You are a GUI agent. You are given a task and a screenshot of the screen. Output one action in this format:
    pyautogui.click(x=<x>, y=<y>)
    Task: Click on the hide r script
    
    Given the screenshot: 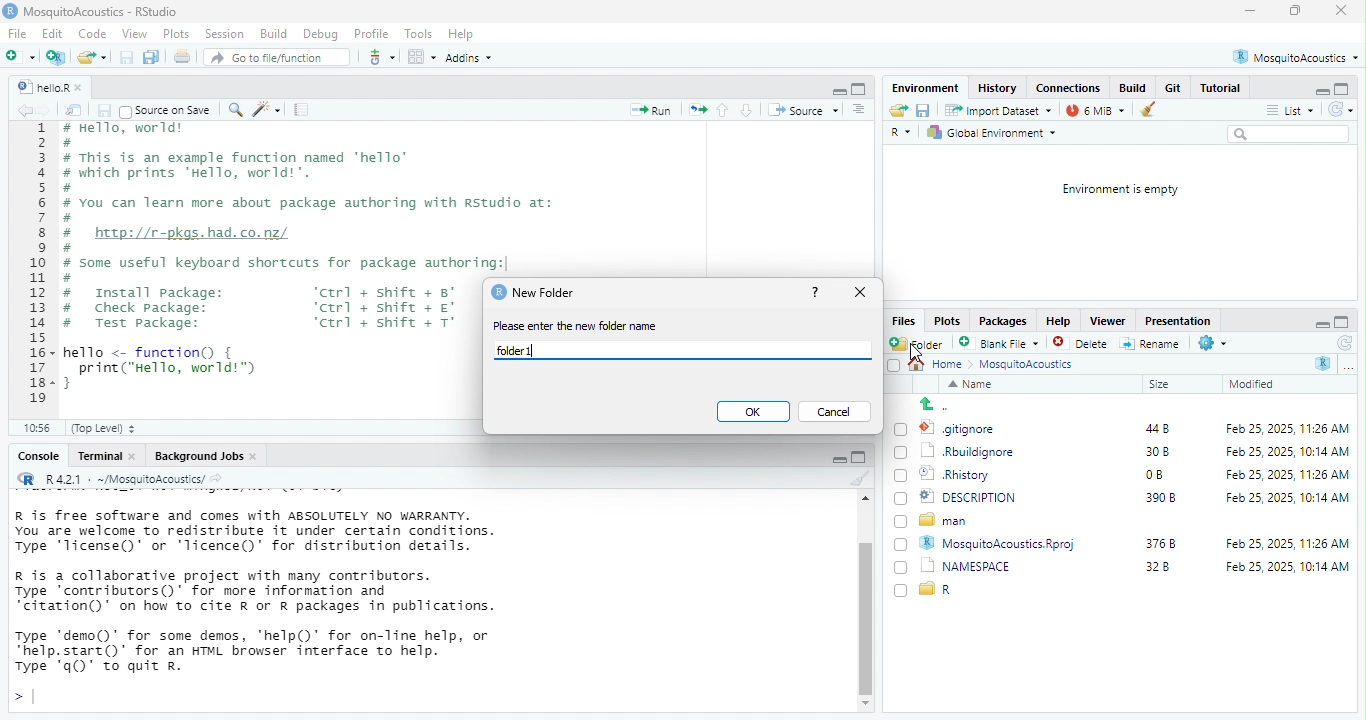 What is the action you would take?
    pyautogui.click(x=835, y=88)
    